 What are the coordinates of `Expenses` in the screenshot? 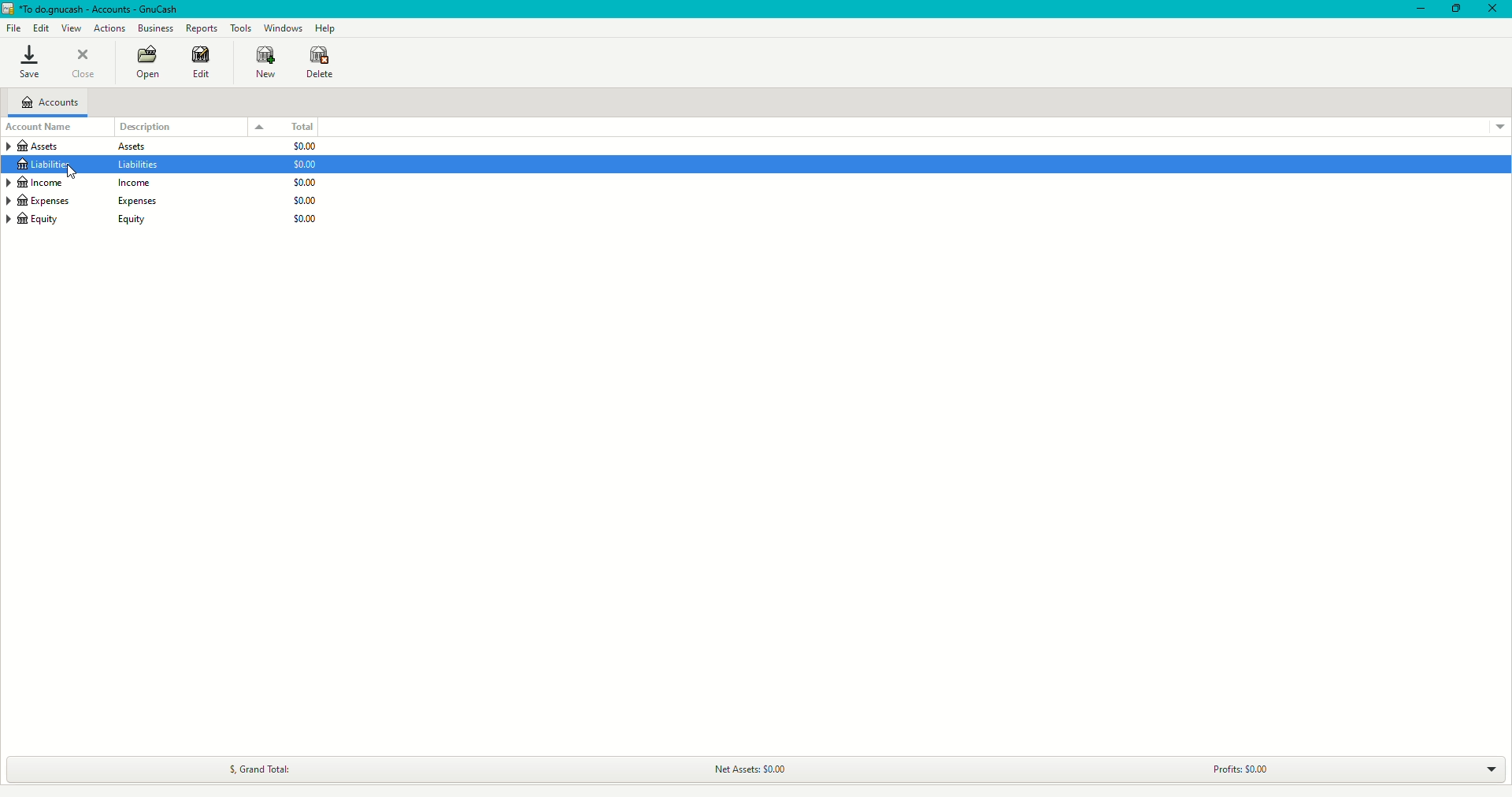 It's located at (80, 202).